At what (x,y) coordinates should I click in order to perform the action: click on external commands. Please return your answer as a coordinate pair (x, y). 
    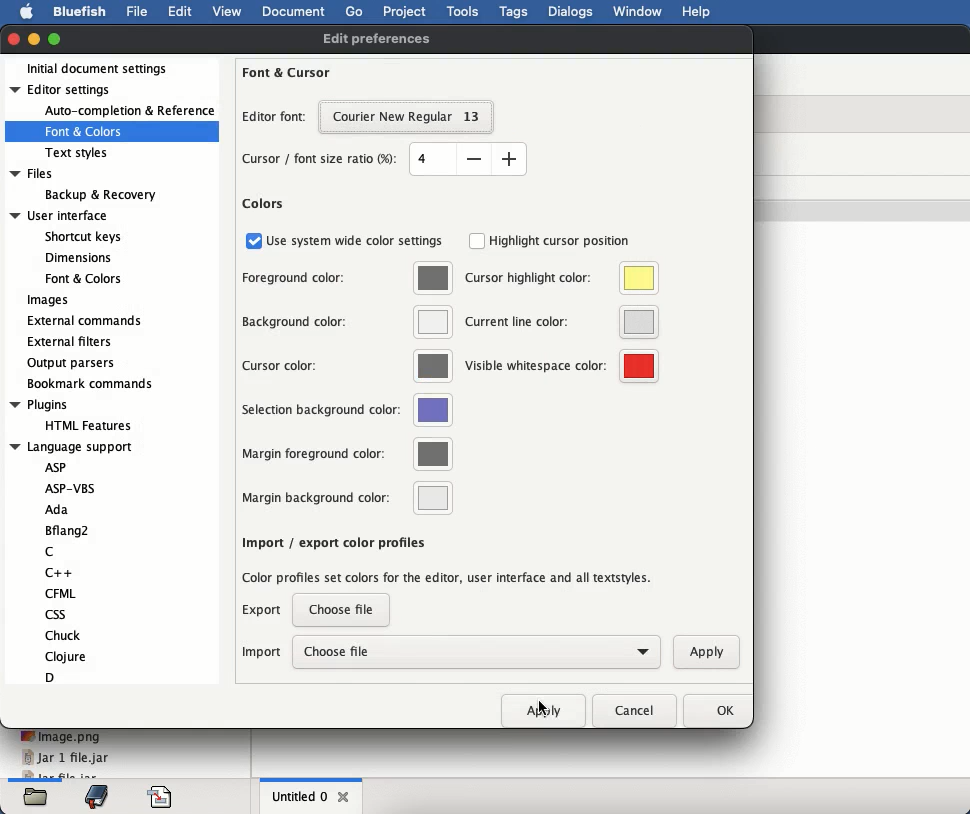
    Looking at the image, I should click on (84, 321).